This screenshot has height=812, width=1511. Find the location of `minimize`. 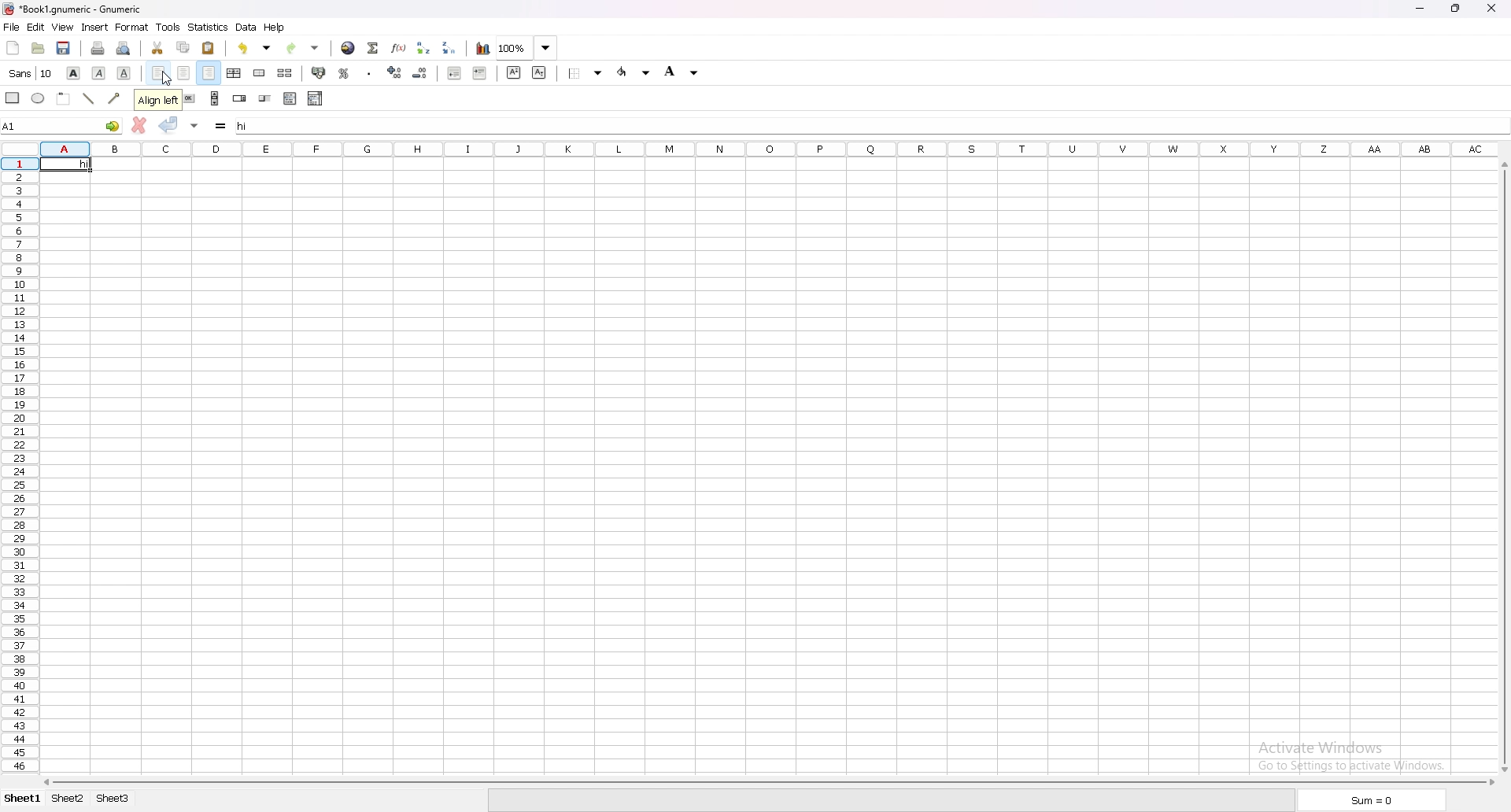

minimize is located at coordinates (1419, 9).